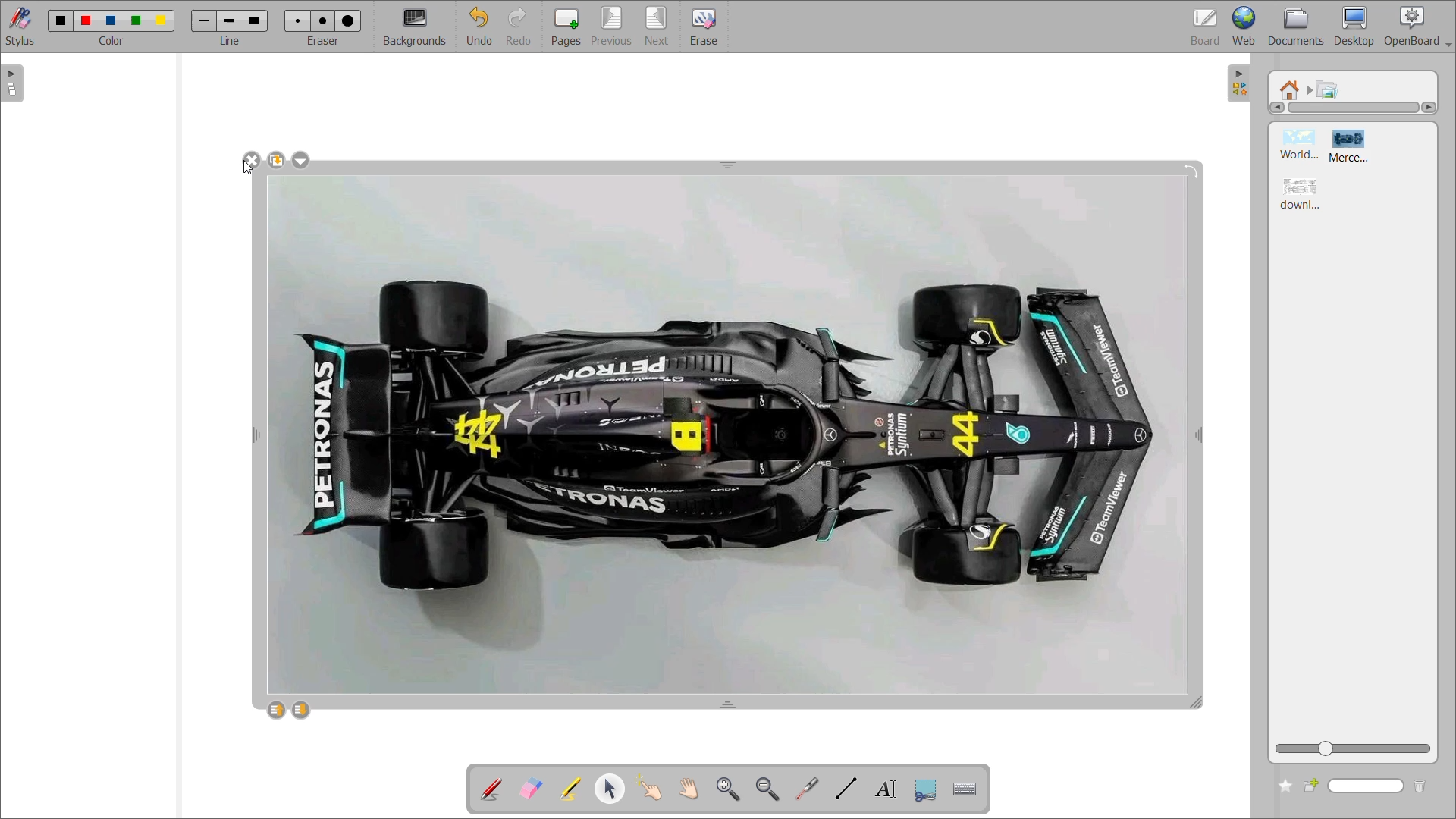 Image resolution: width=1456 pixels, height=819 pixels. I want to click on openboard, so click(1415, 27).